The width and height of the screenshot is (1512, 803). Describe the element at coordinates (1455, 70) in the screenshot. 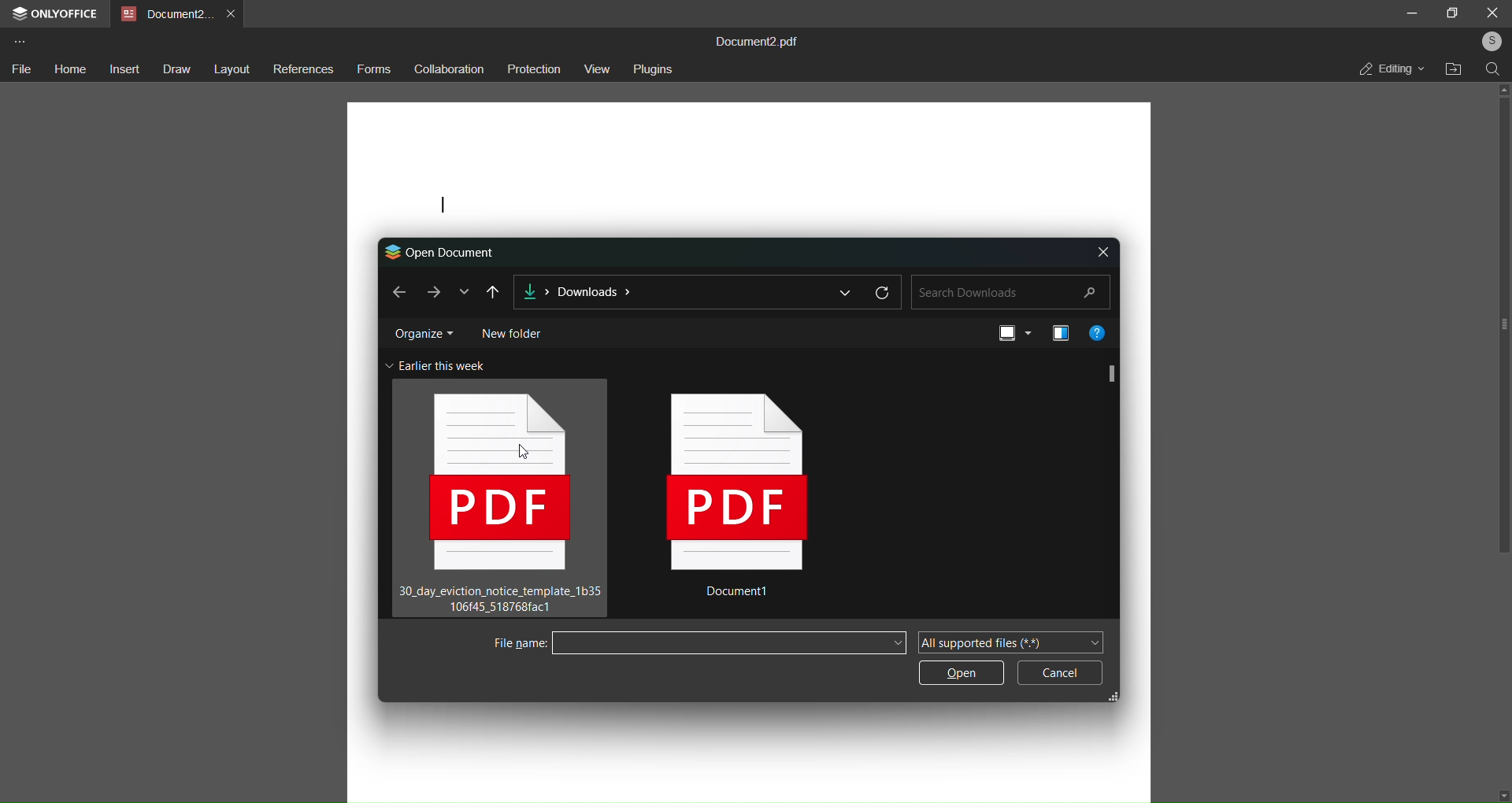

I see `file location` at that location.